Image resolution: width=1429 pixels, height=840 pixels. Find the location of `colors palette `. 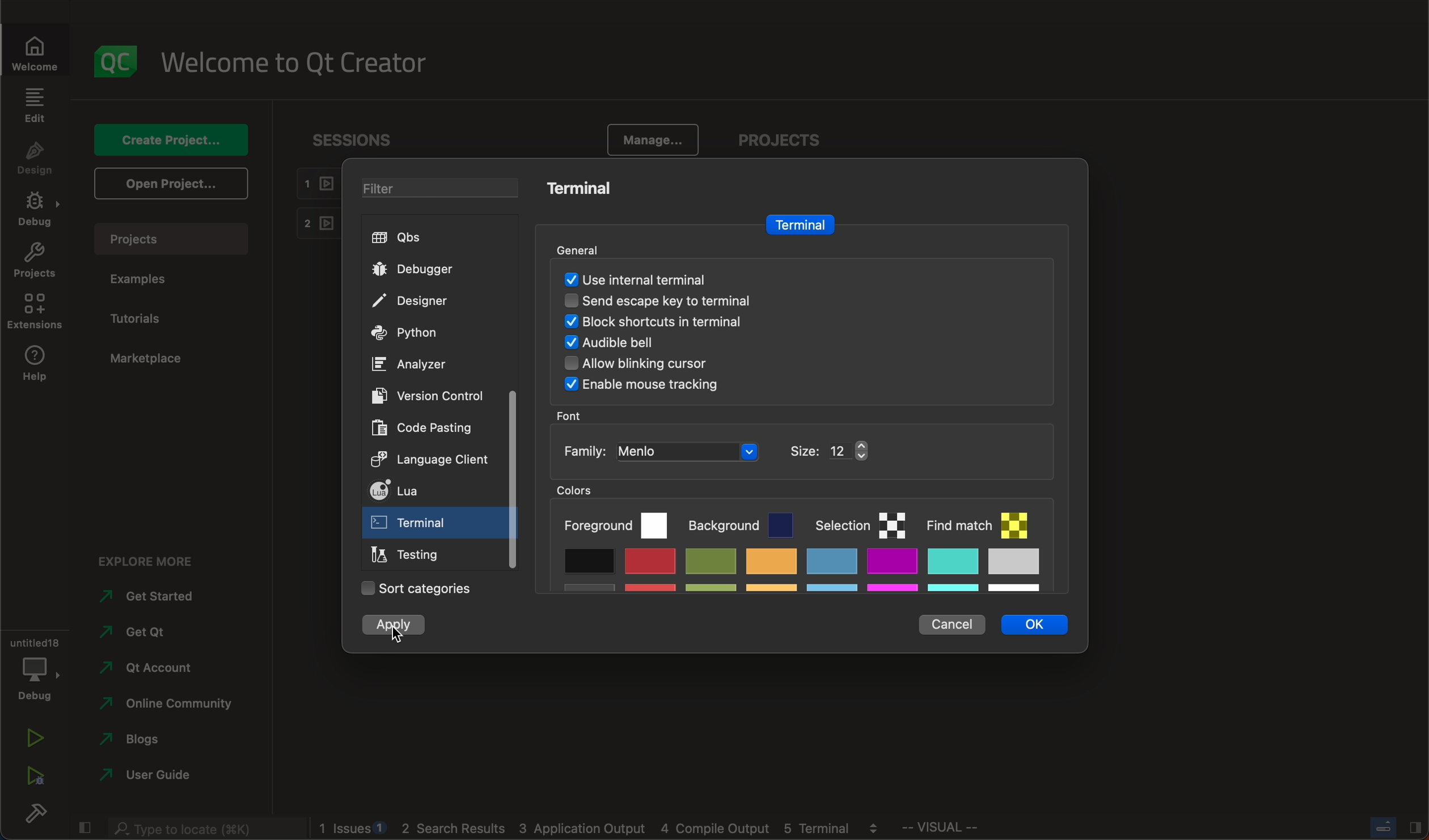

colors palette  is located at coordinates (811, 538).